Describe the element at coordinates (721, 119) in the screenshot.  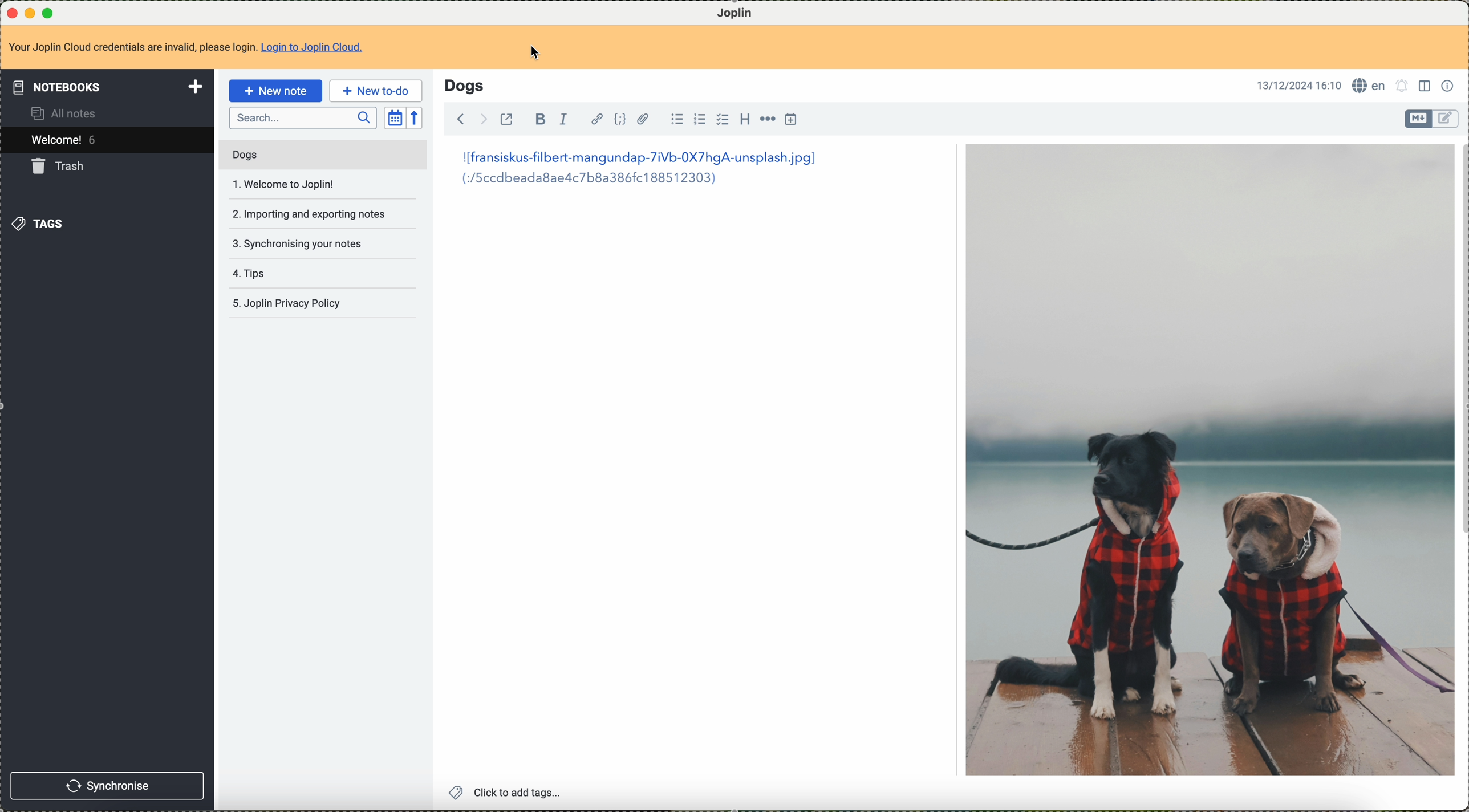
I see `checkbox` at that location.